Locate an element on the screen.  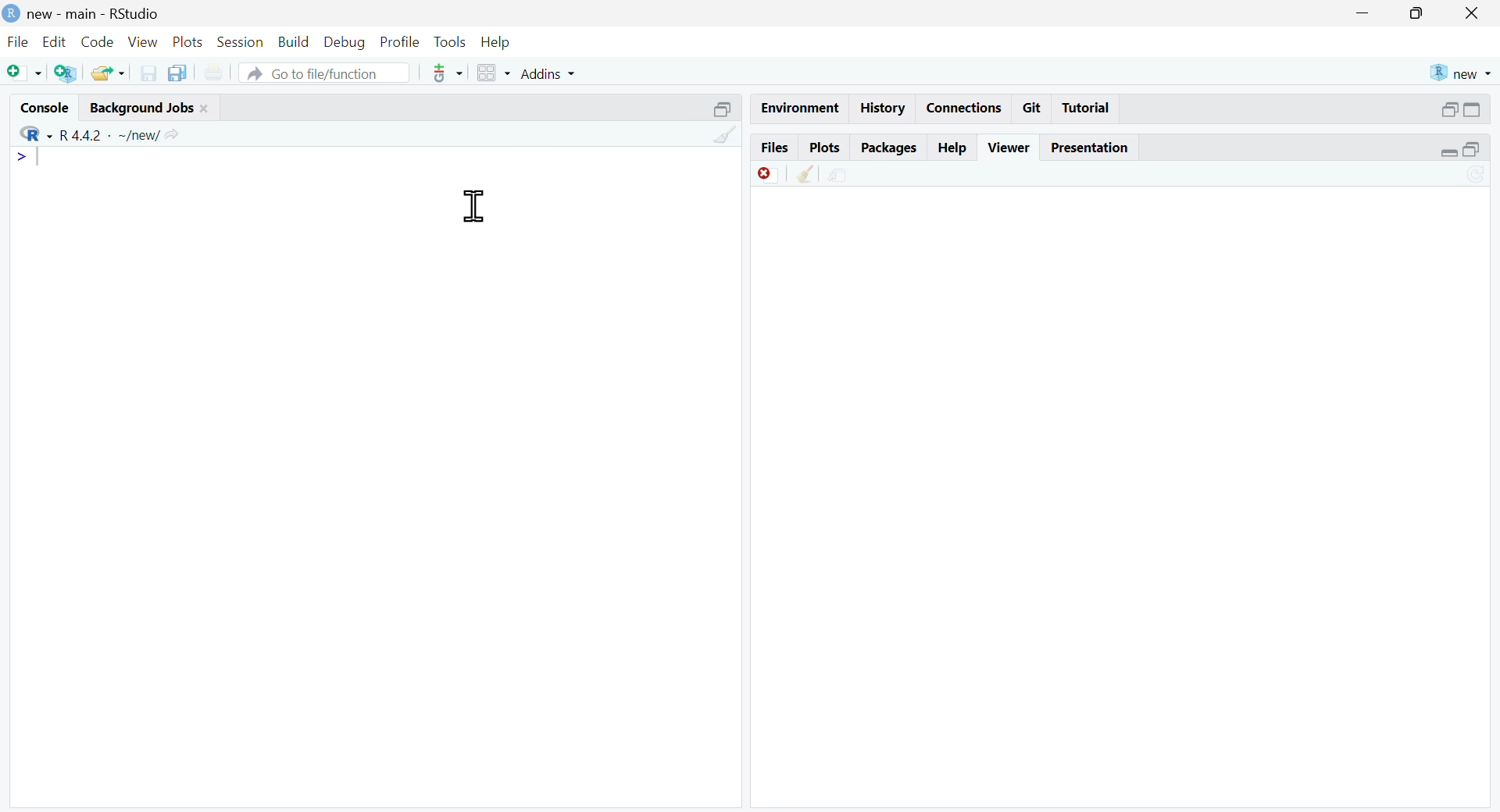
viewer is located at coordinates (1011, 148).